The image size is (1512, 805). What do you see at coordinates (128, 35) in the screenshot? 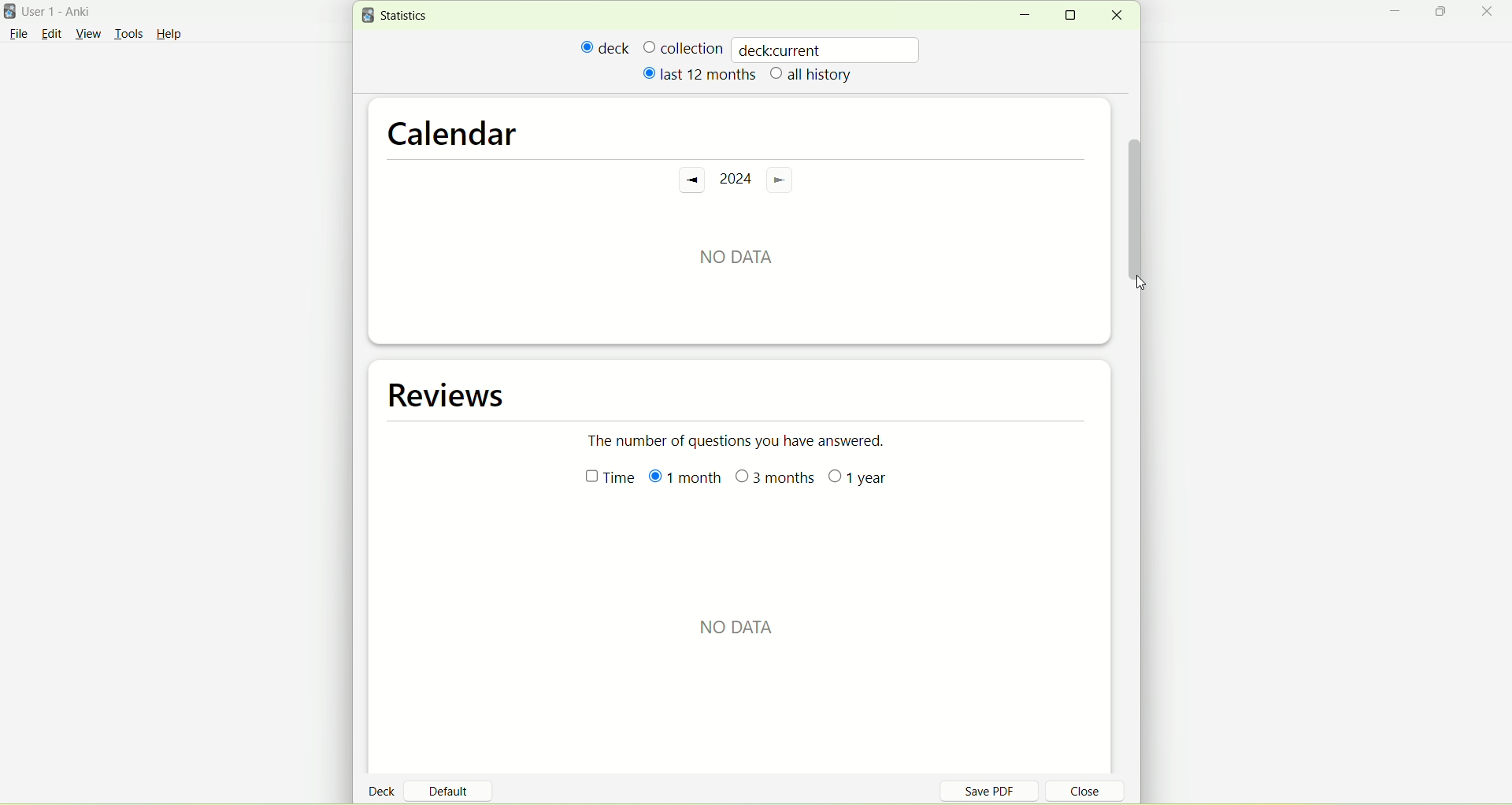
I see `tools` at bounding box center [128, 35].